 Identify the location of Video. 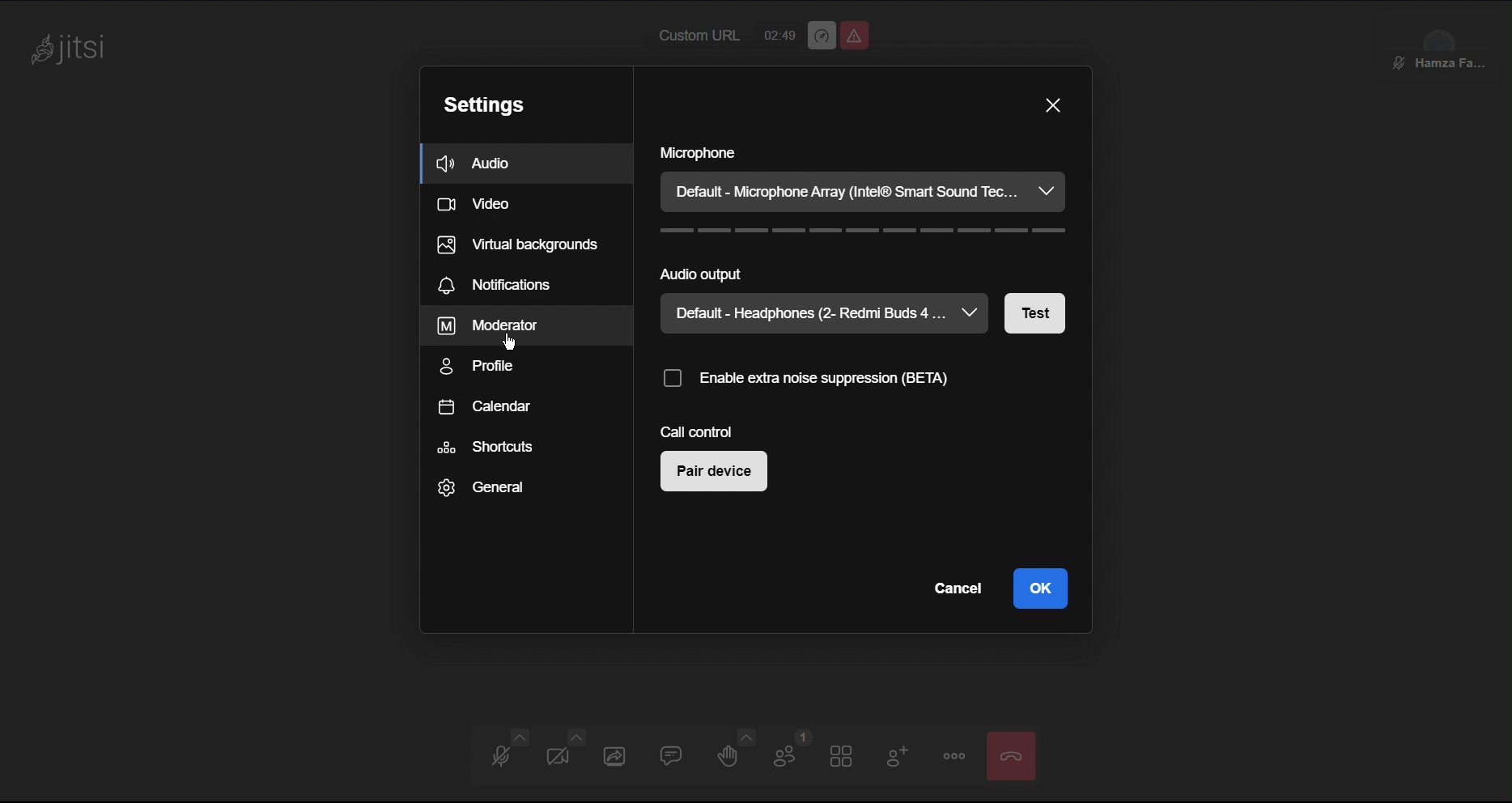
(558, 757).